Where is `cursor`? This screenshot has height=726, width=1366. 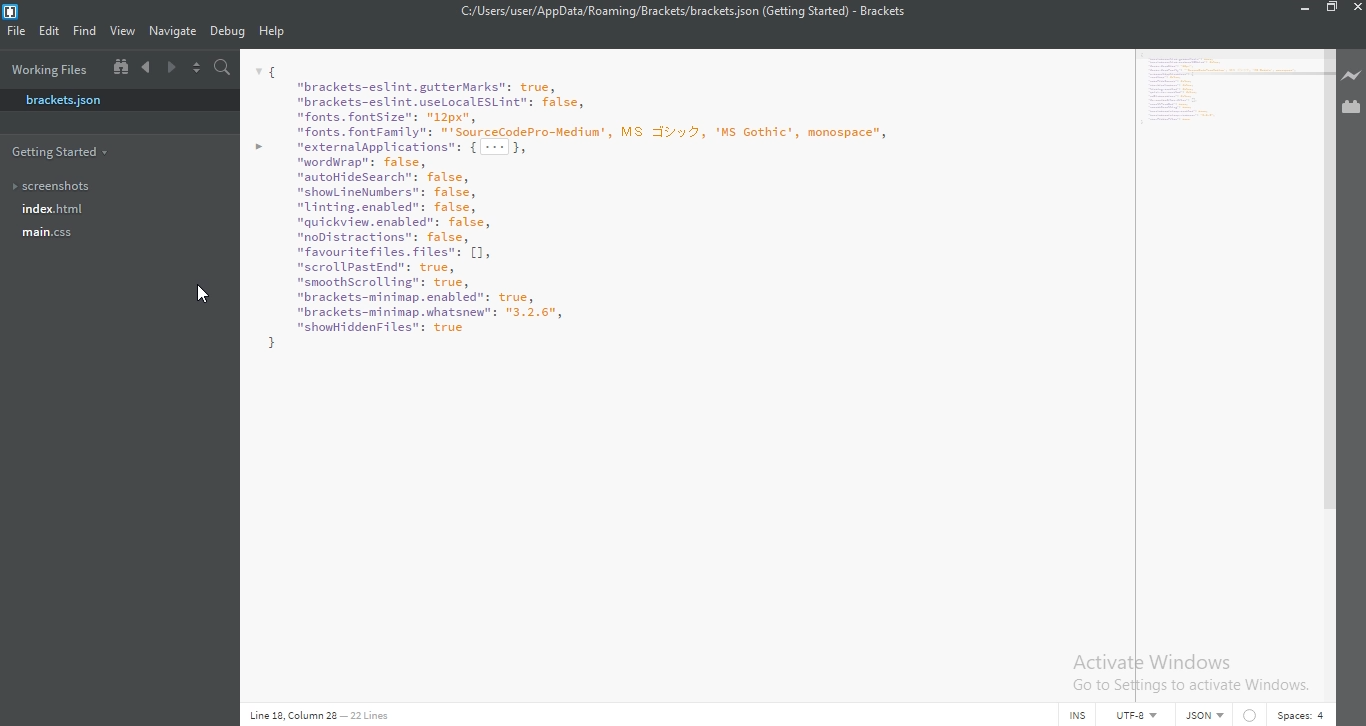 cursor is located at coordinates (201, 295).